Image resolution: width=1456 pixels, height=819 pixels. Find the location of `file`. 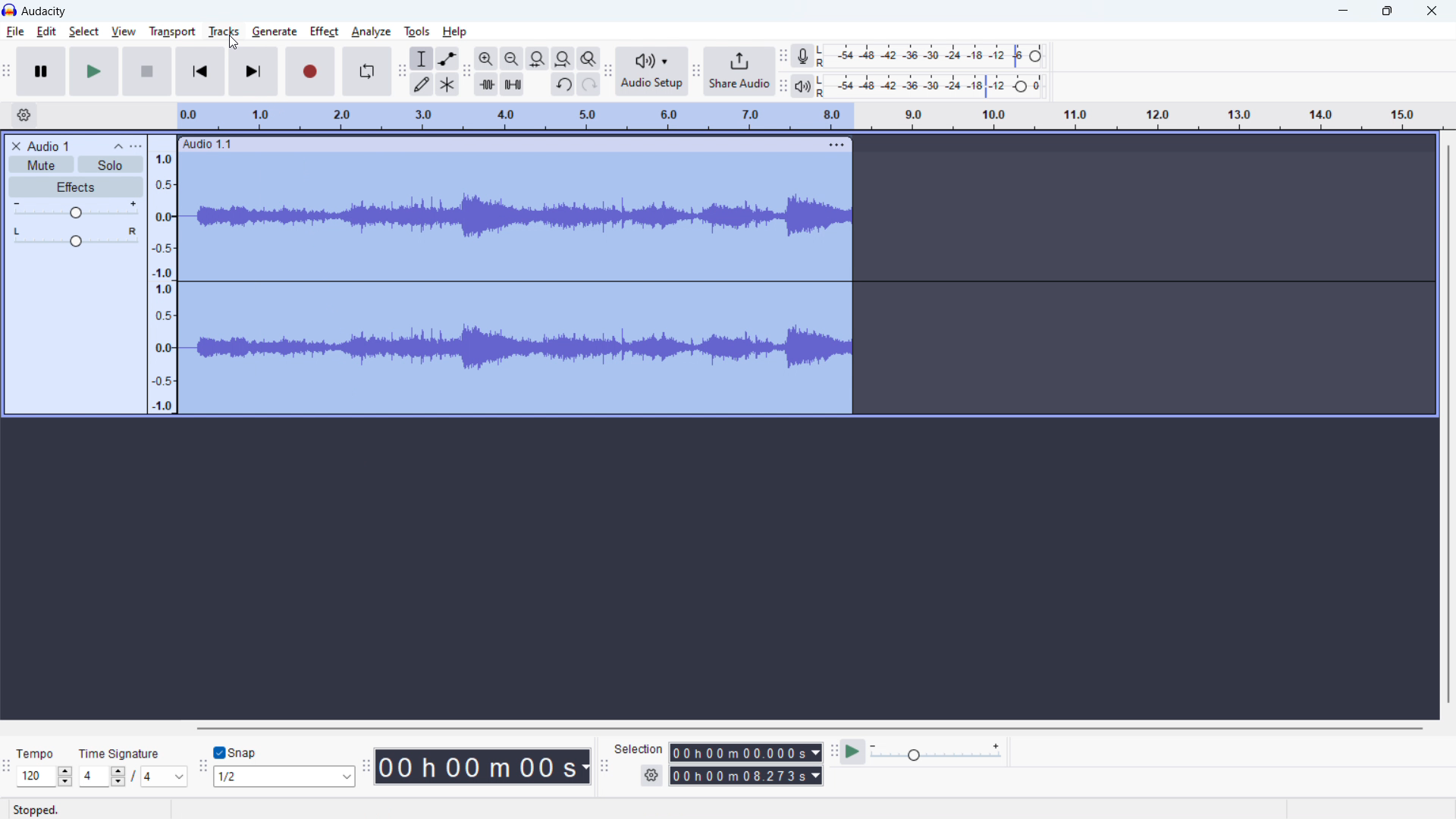

file is located at coordinates (14, 32).